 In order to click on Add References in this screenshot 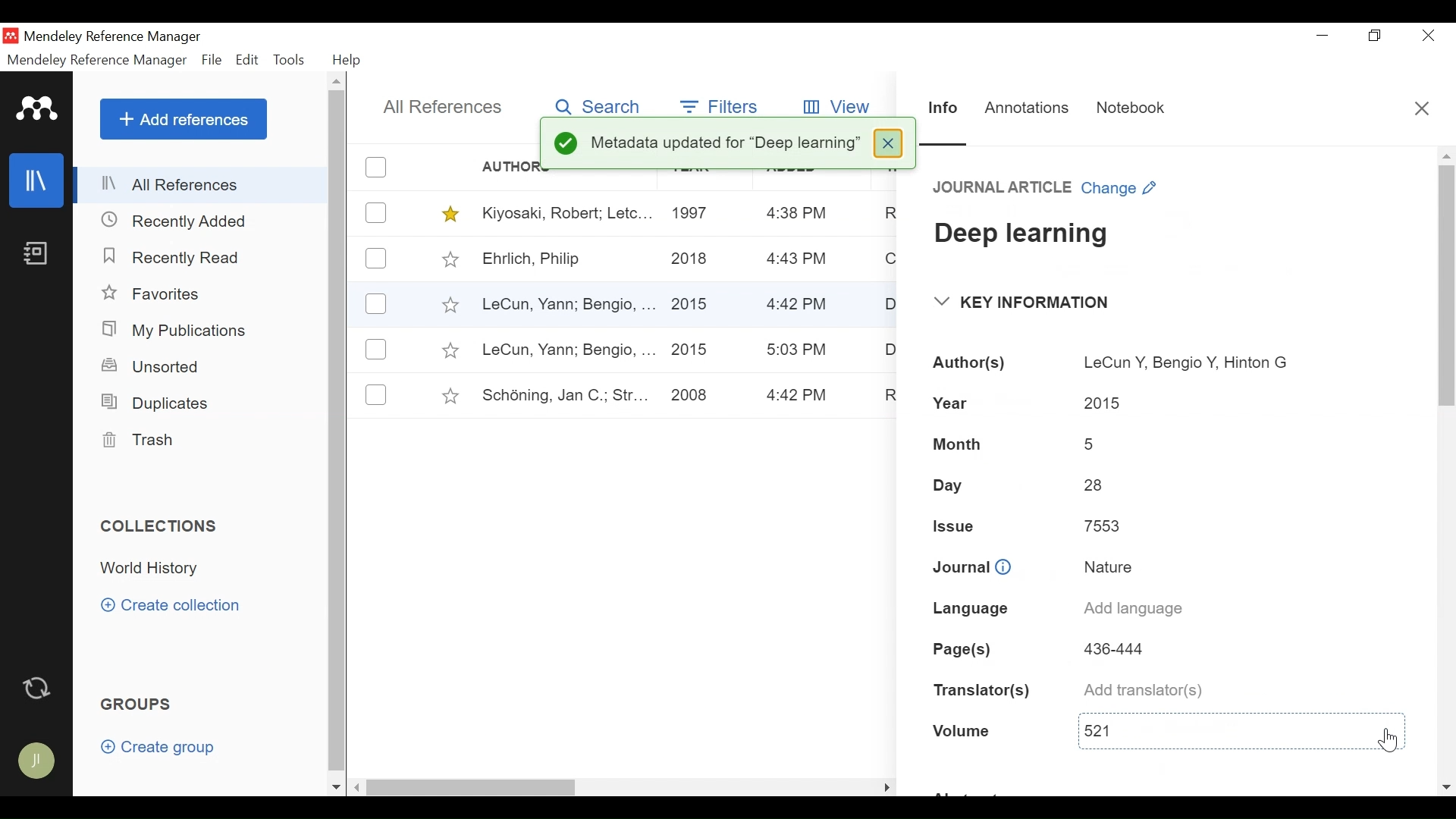, I will do `click(184, 119)`.